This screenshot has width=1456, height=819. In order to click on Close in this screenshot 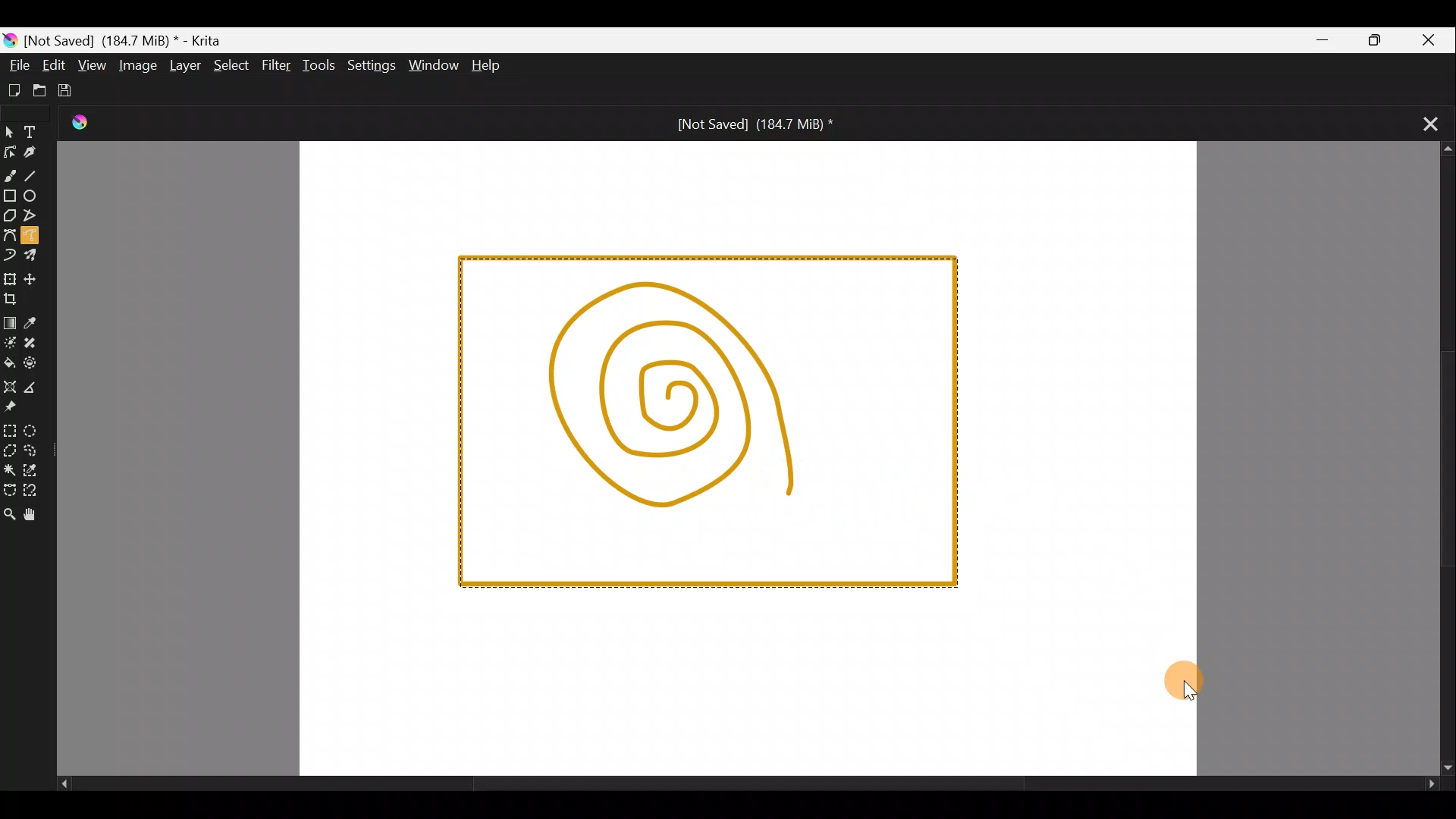, I will do `click(1429, 39)`.